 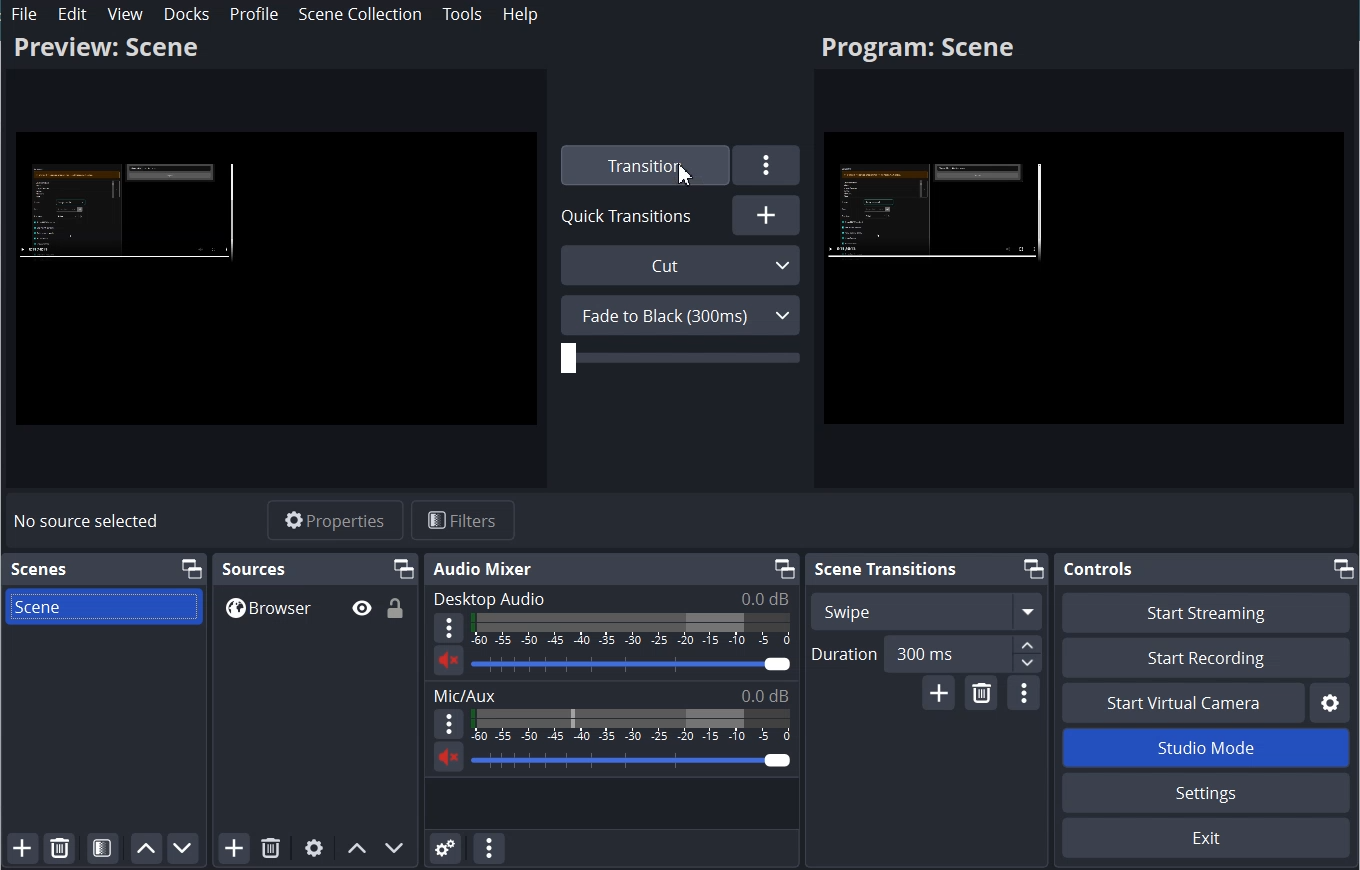 What do you see at coordinates (356, 848) in the screenshot?
I see `Move Source Up` at bounding box center [356, 848].